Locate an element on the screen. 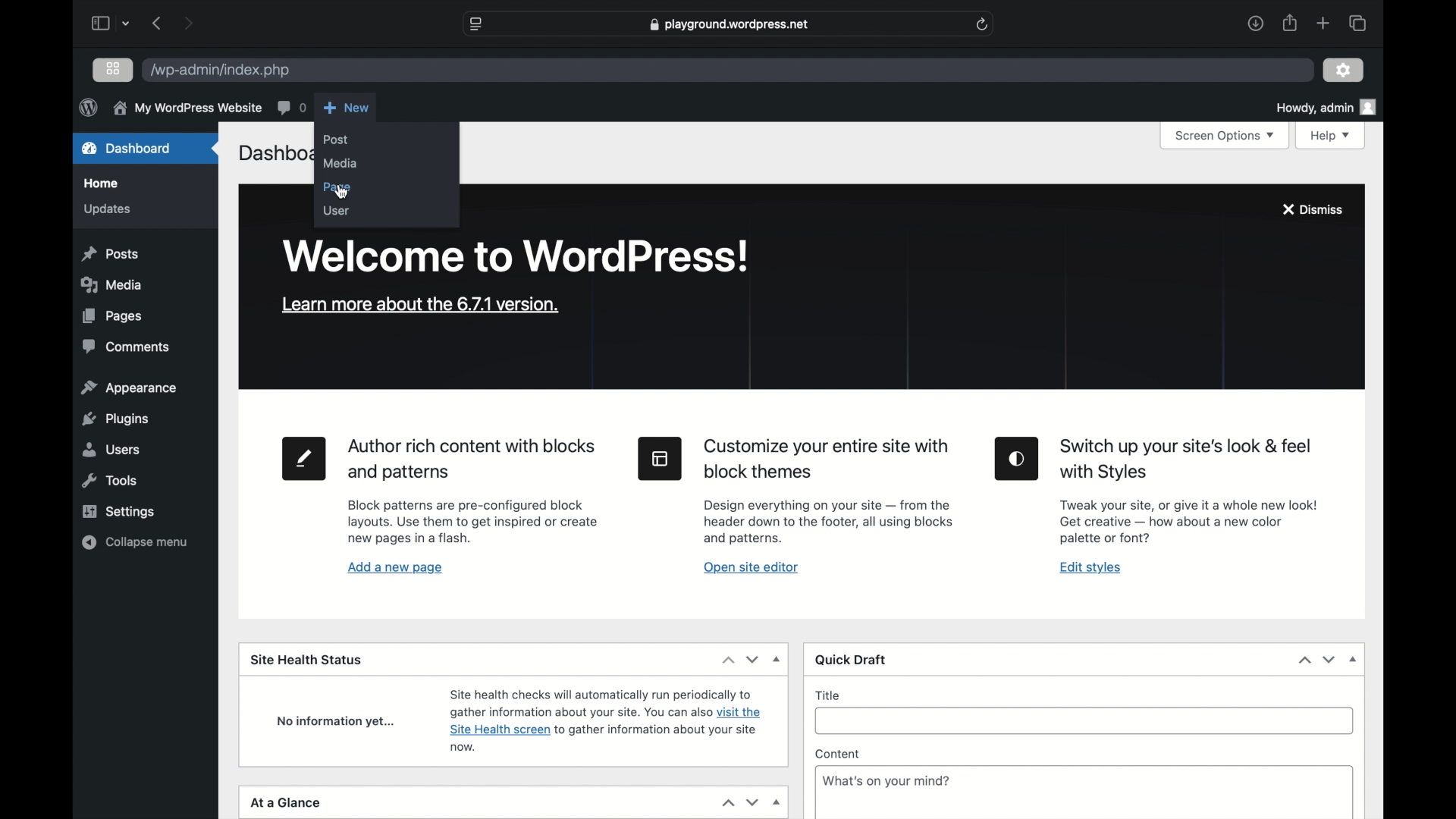  refresh is located at coordinates (983, 24).